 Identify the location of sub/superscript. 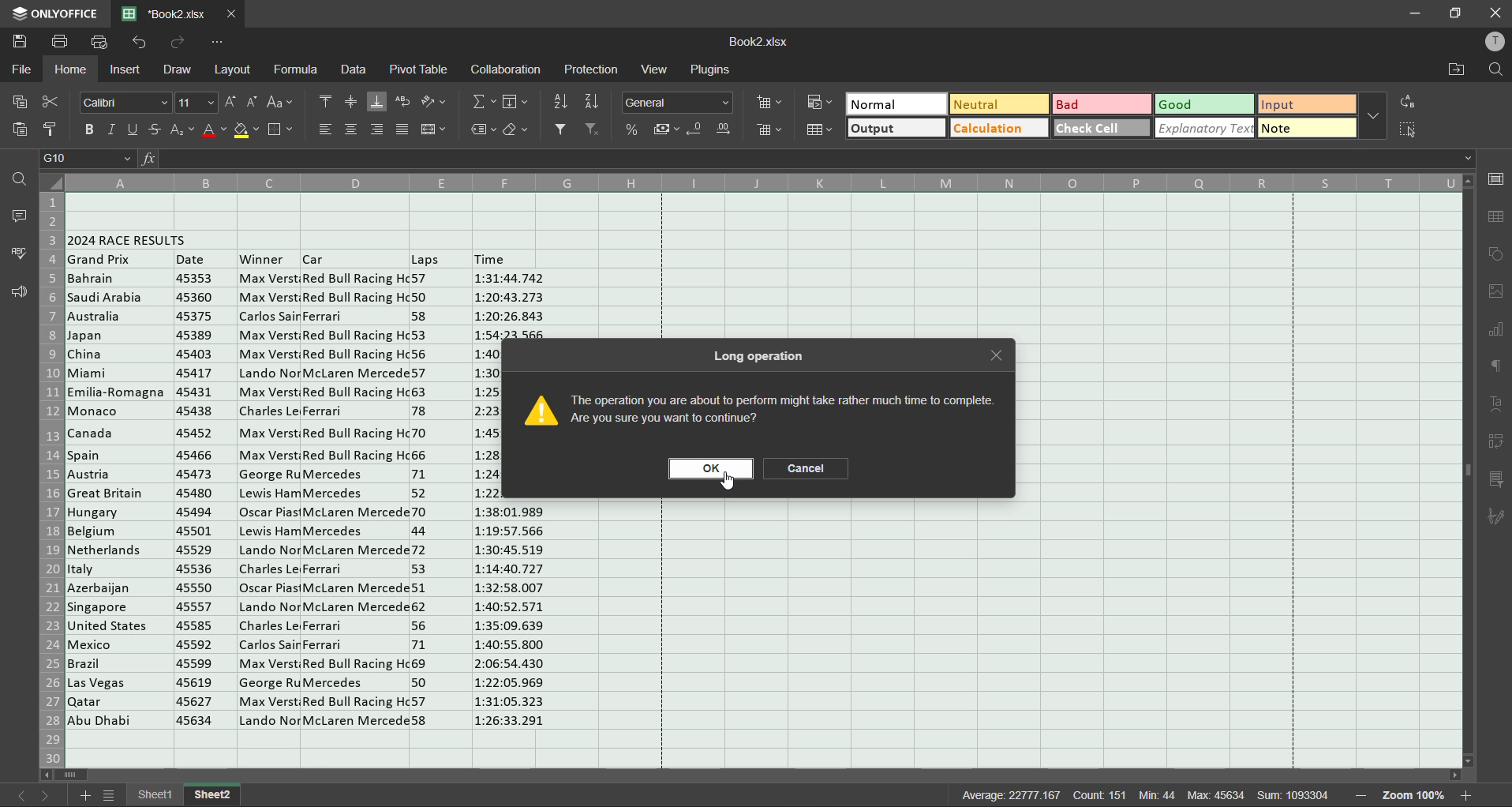
(184, 131).